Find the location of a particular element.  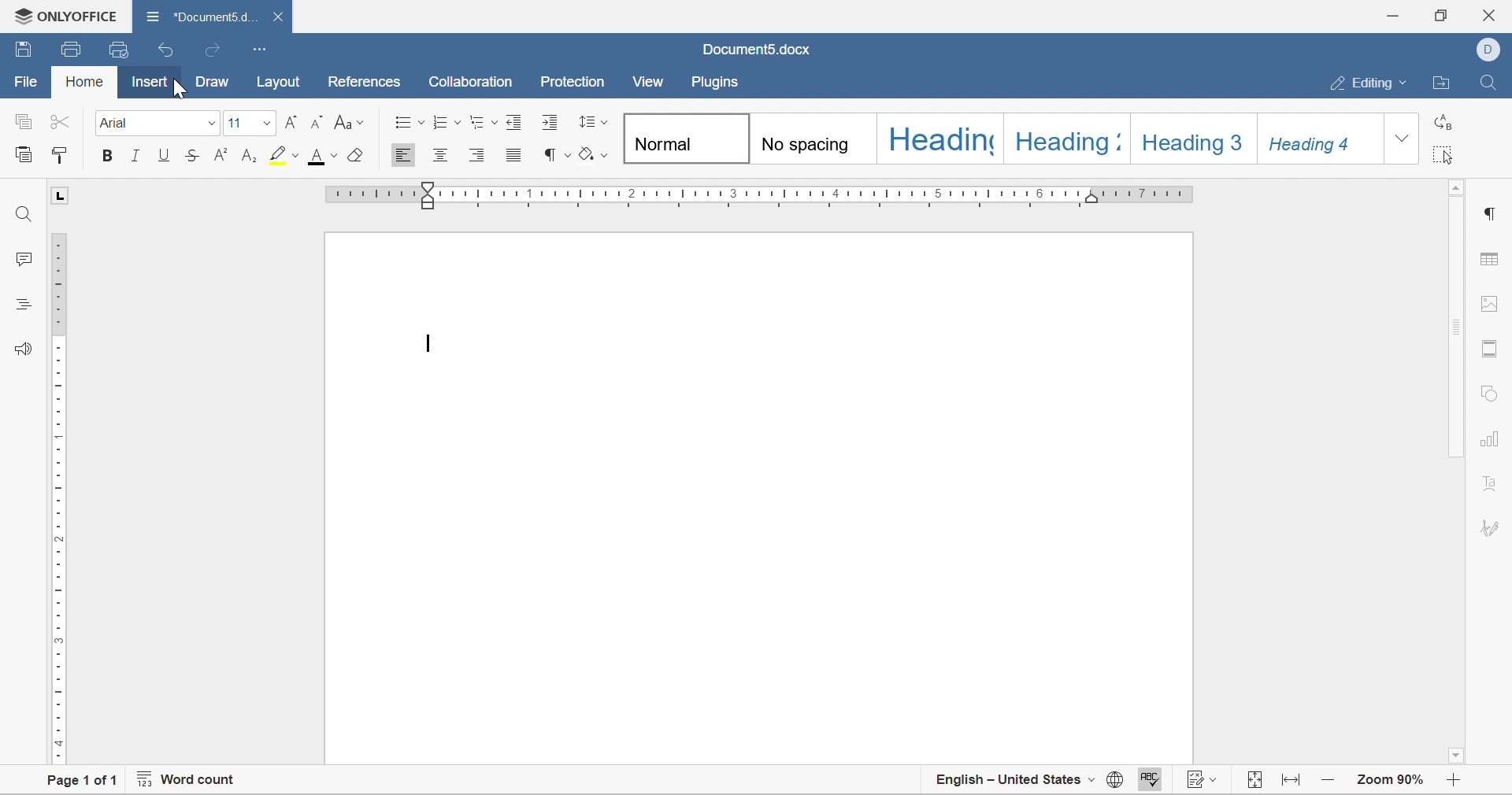

scroll up is located at coordinates (1458, 187).